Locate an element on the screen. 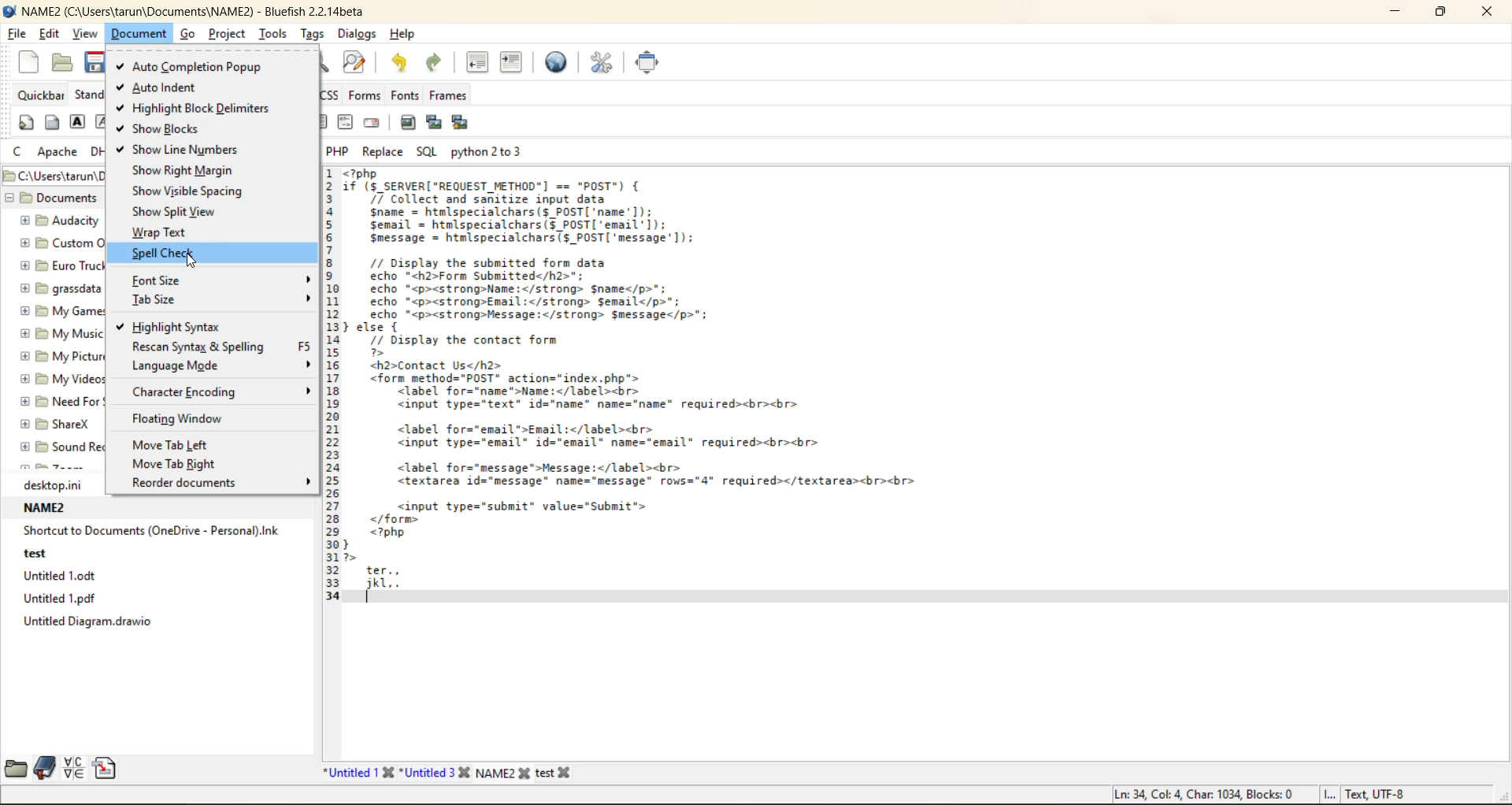 The height and width of the screenshot is (805, 1512). dialogs is located at coordinates (358, 35).